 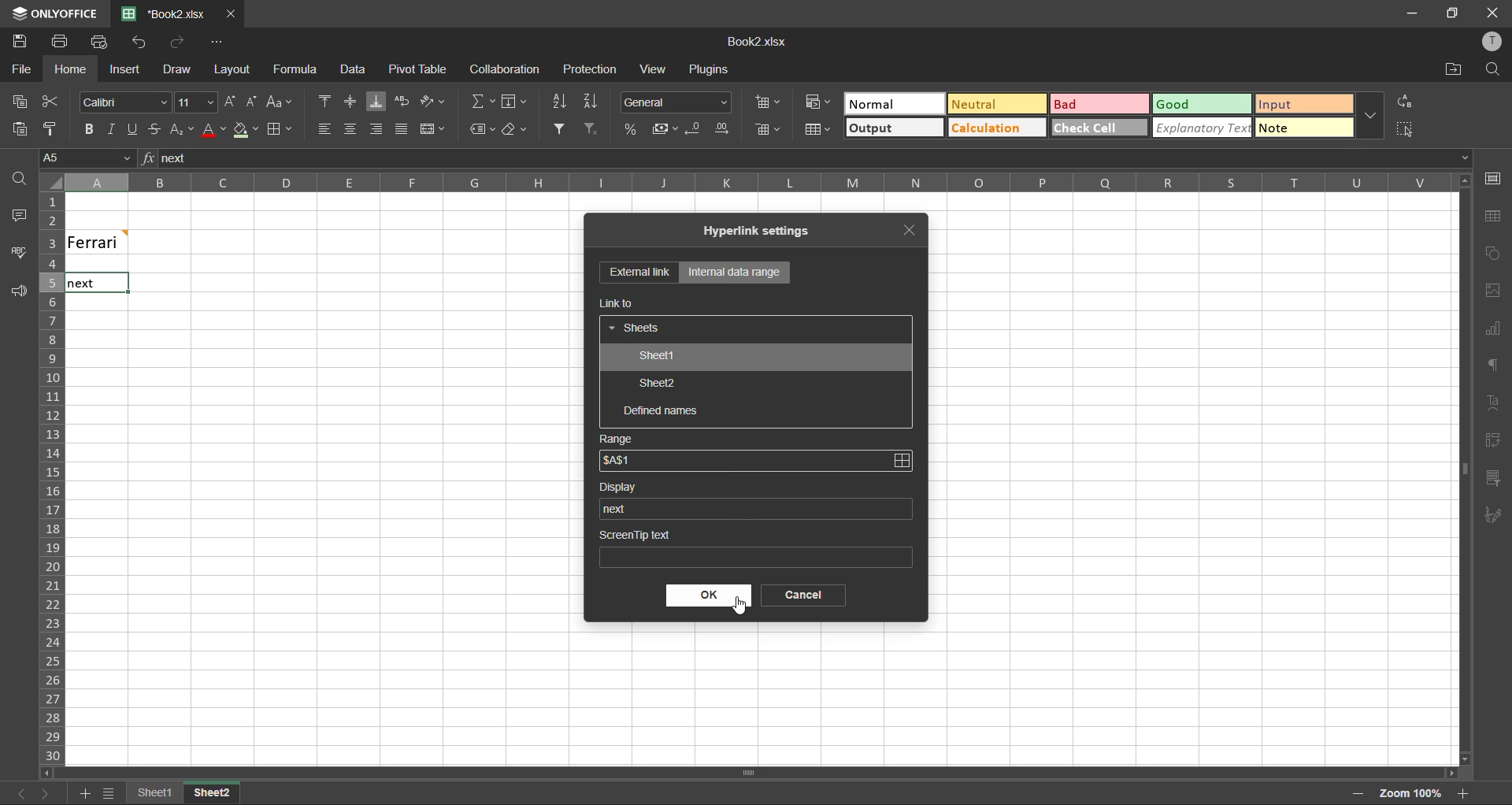 I want to click on insert, so click(x=122, y=69).